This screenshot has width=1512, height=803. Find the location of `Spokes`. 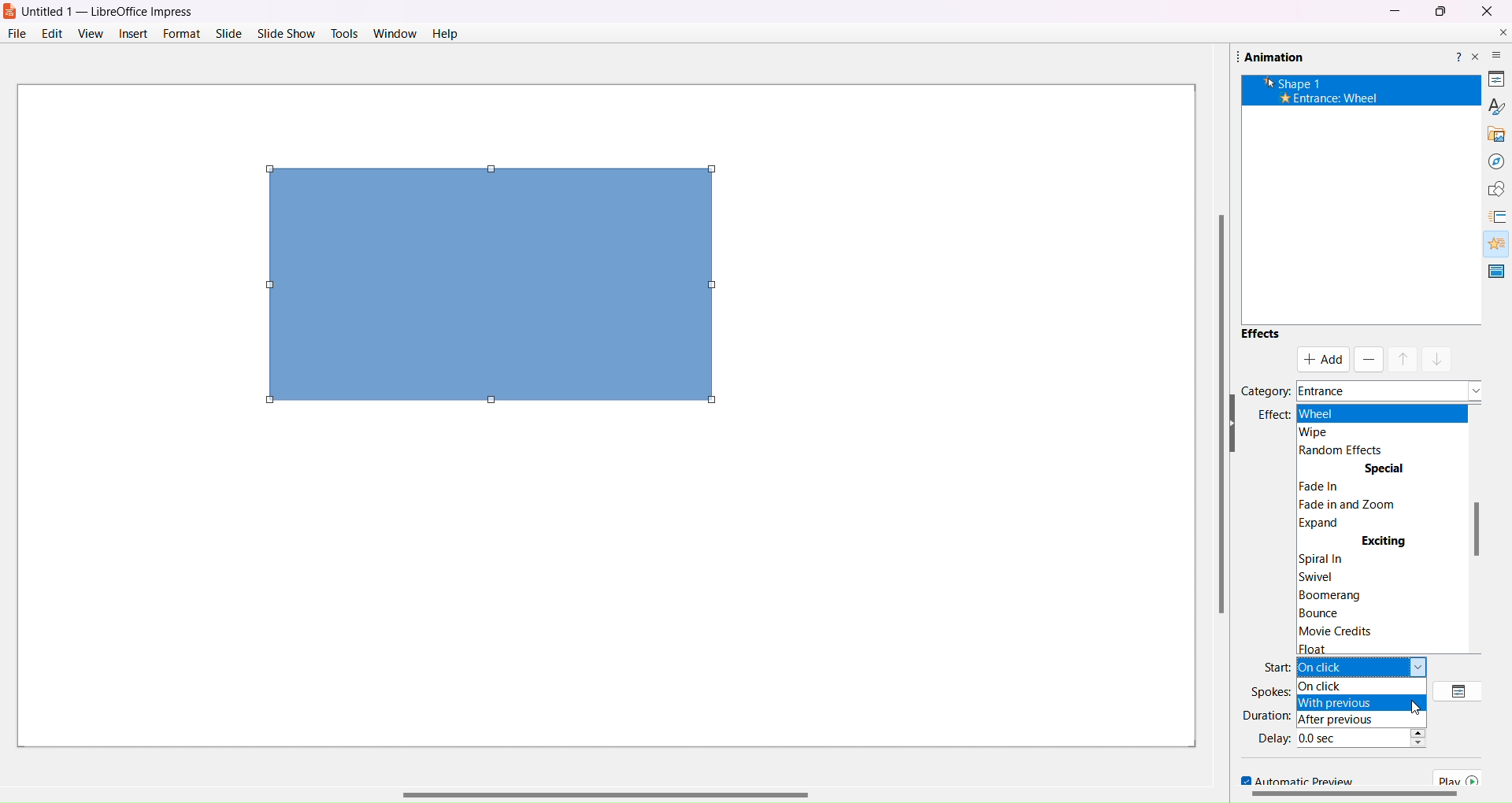

Spokes is located at coordinates (1271, 691).